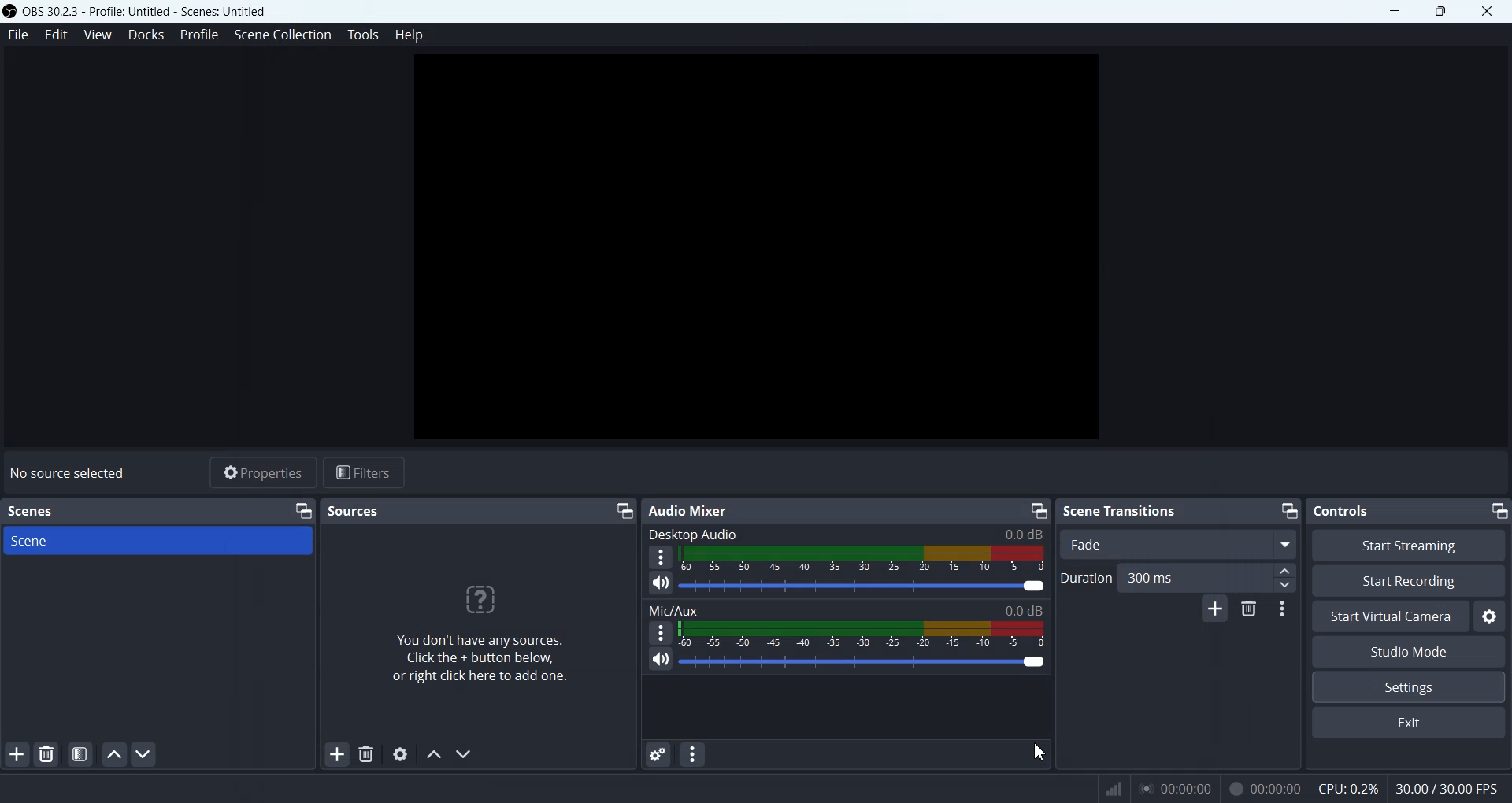 The image size is (1512, 803). What do you see at coordinates (1215, 610) in the screenshot?
I see `Add configurable Transition` at bounding box center [1215, 610].